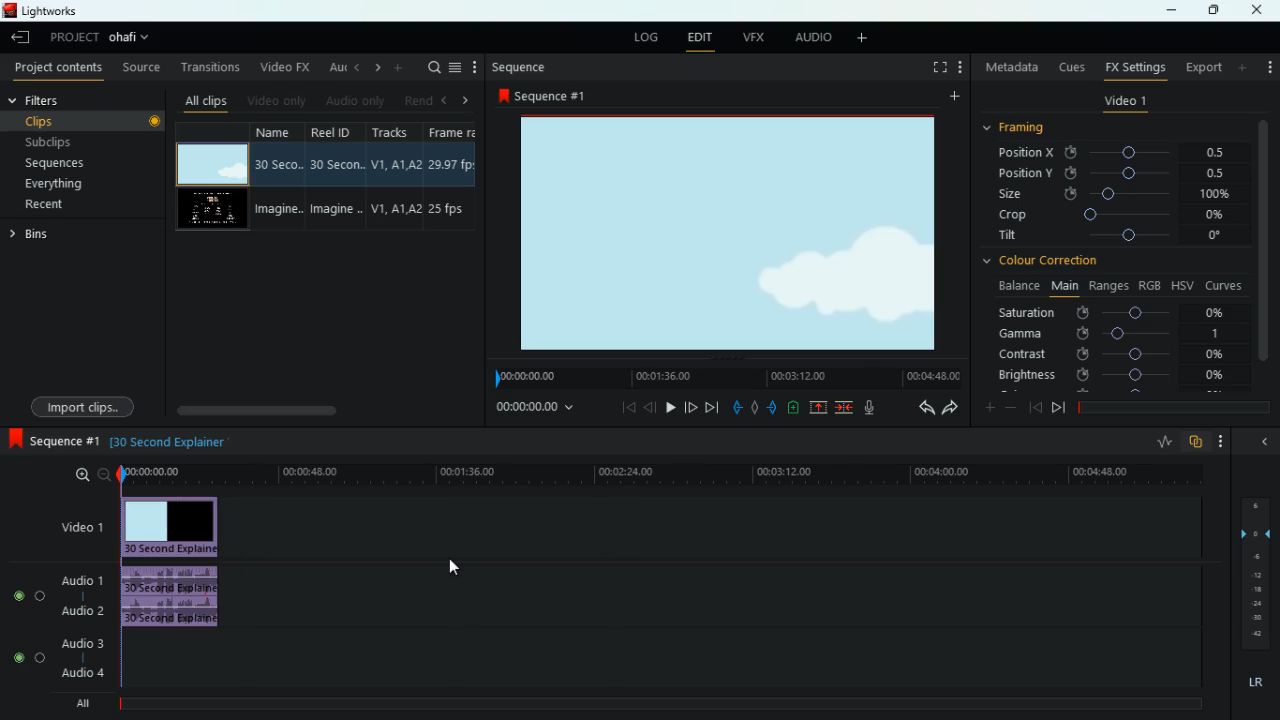  I want to click on pull, so click(736, 408).